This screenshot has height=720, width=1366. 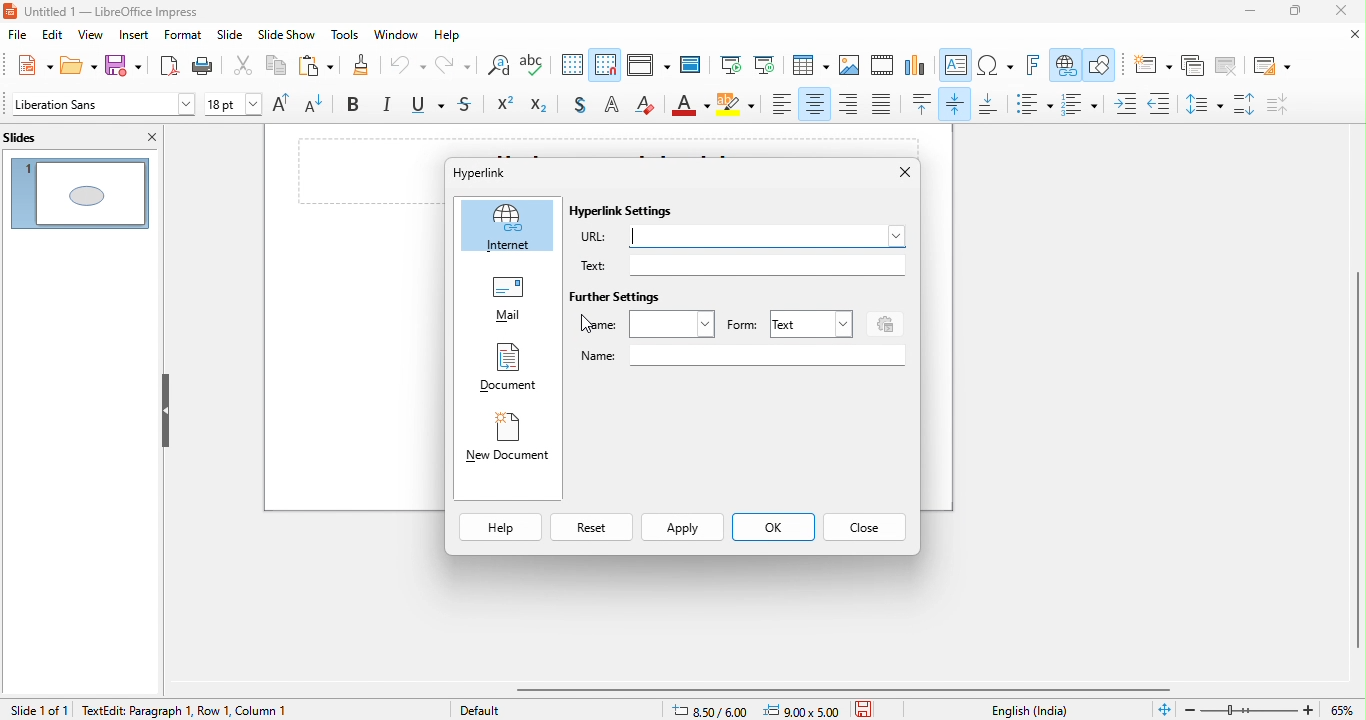 What do you see at coordinates (506, 106) in the screenshot?
I see `superscript` at bounding box center [506, 106].